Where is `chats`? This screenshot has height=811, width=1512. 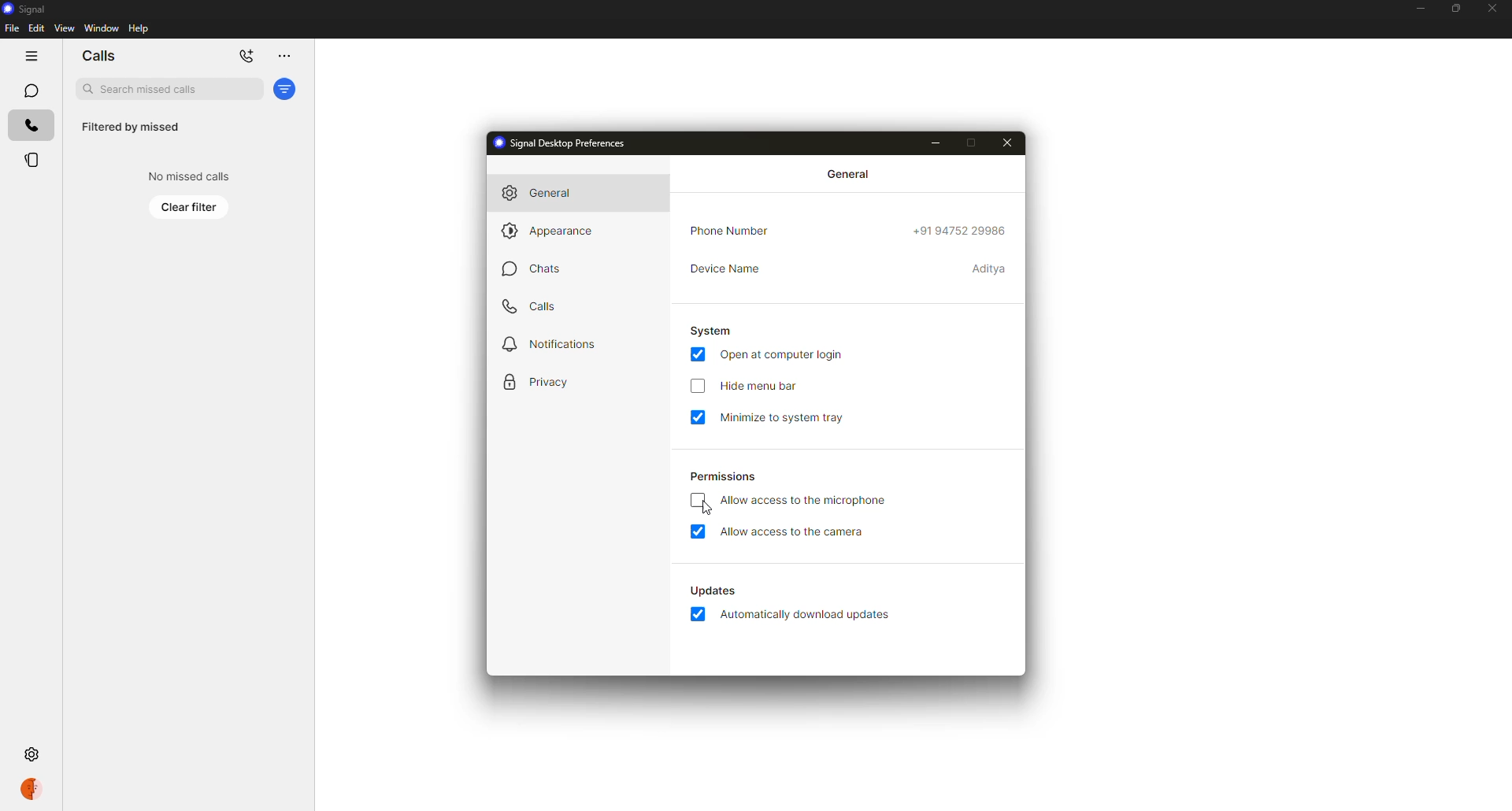 chats is located at coordinates (31, 91).